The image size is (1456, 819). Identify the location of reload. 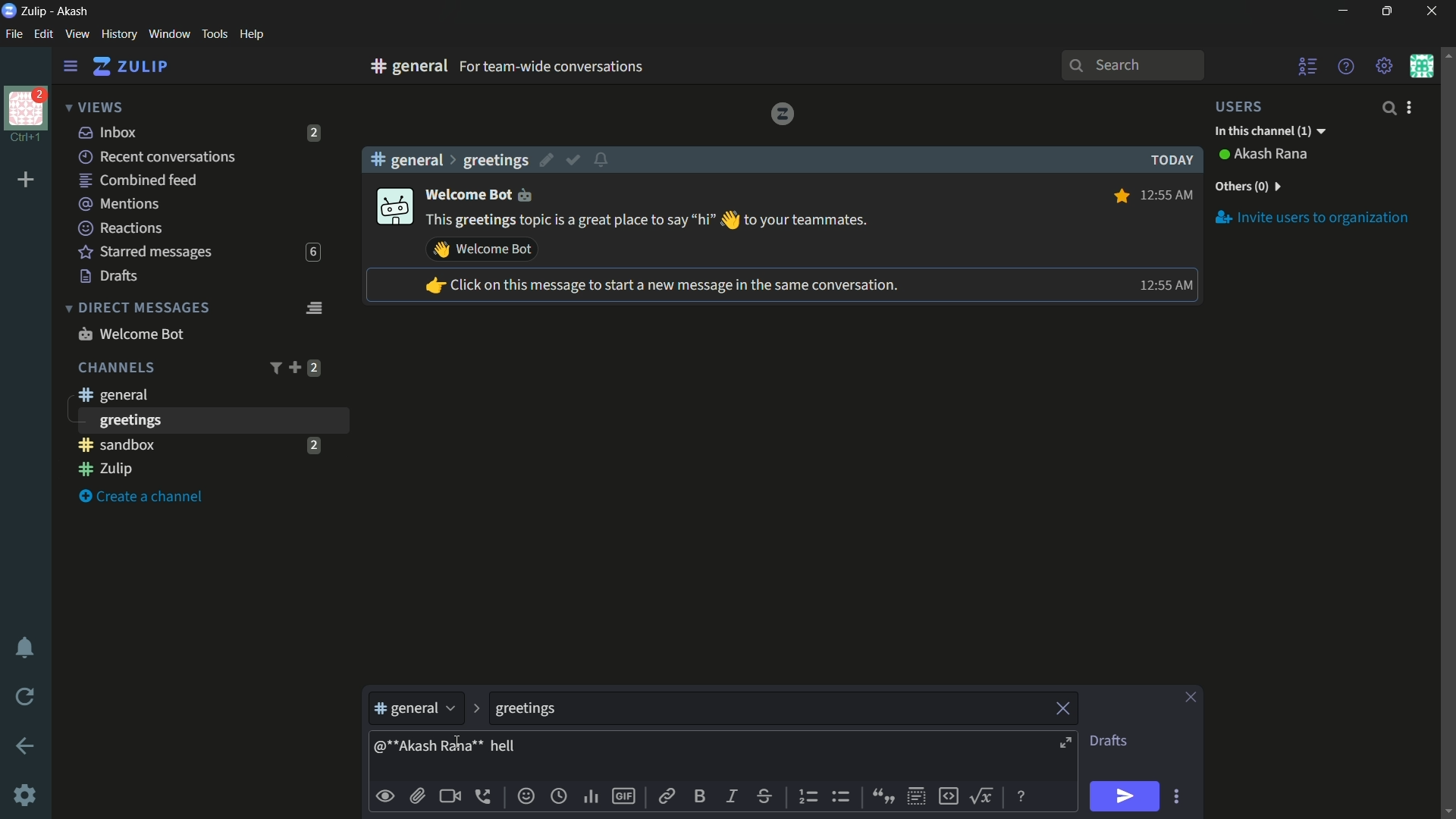
(26, 696).